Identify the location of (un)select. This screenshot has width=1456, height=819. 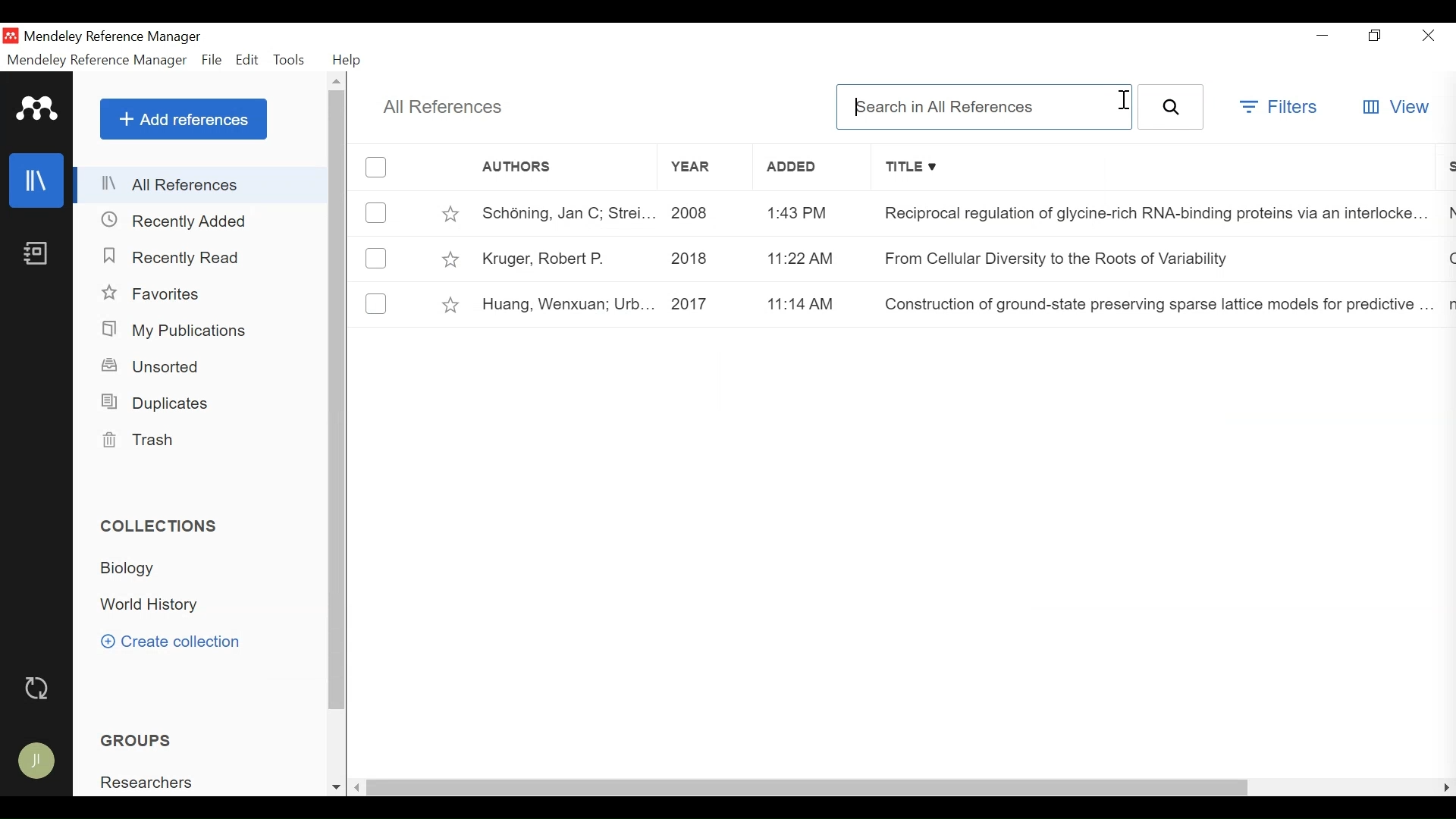
(375, 301).